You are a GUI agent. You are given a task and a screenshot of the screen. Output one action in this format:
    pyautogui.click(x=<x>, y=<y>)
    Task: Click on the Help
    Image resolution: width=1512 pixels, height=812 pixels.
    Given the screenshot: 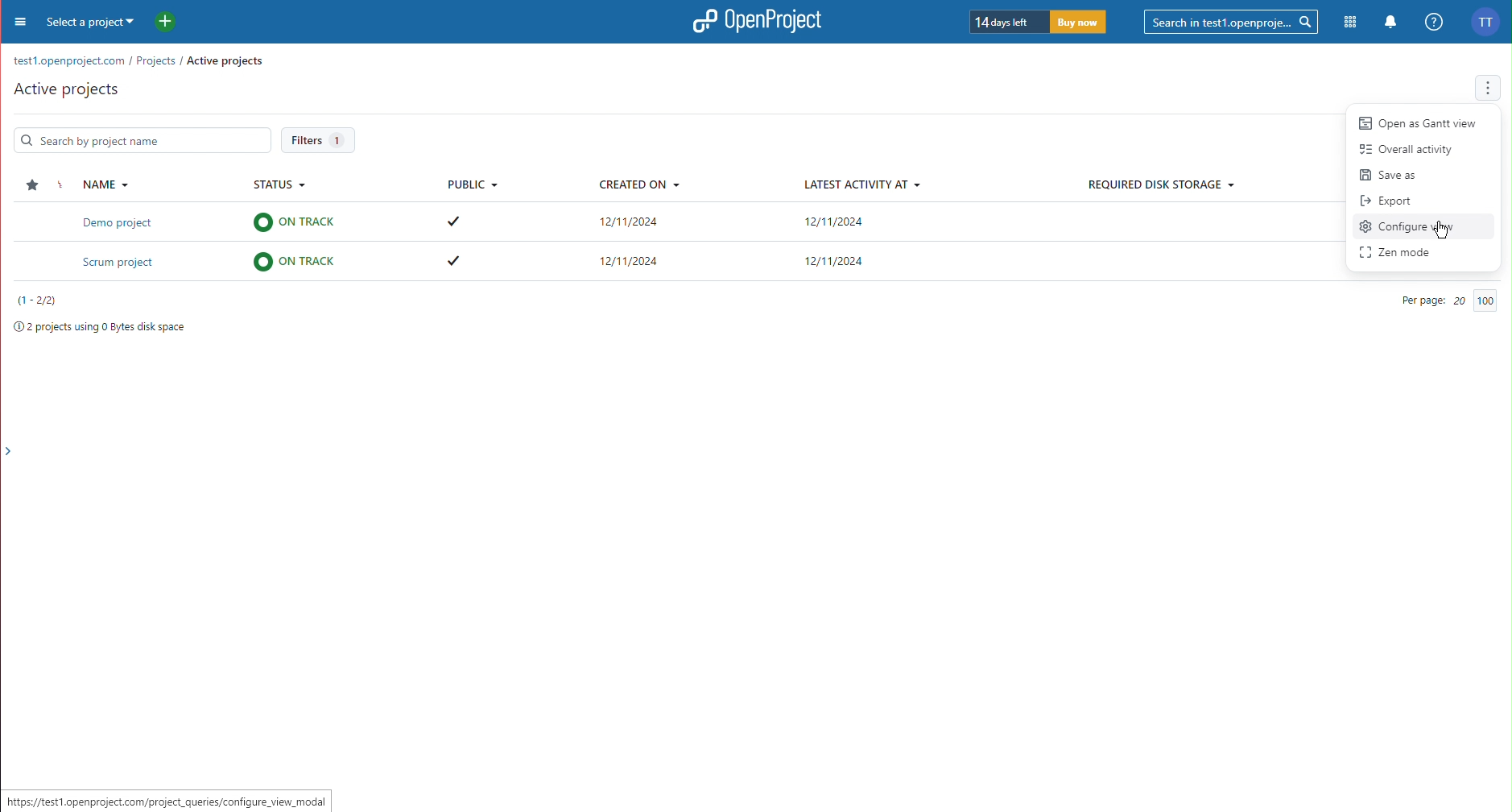 What is the action you would take?
    pyautogui.click(x=1433, y=24)
    